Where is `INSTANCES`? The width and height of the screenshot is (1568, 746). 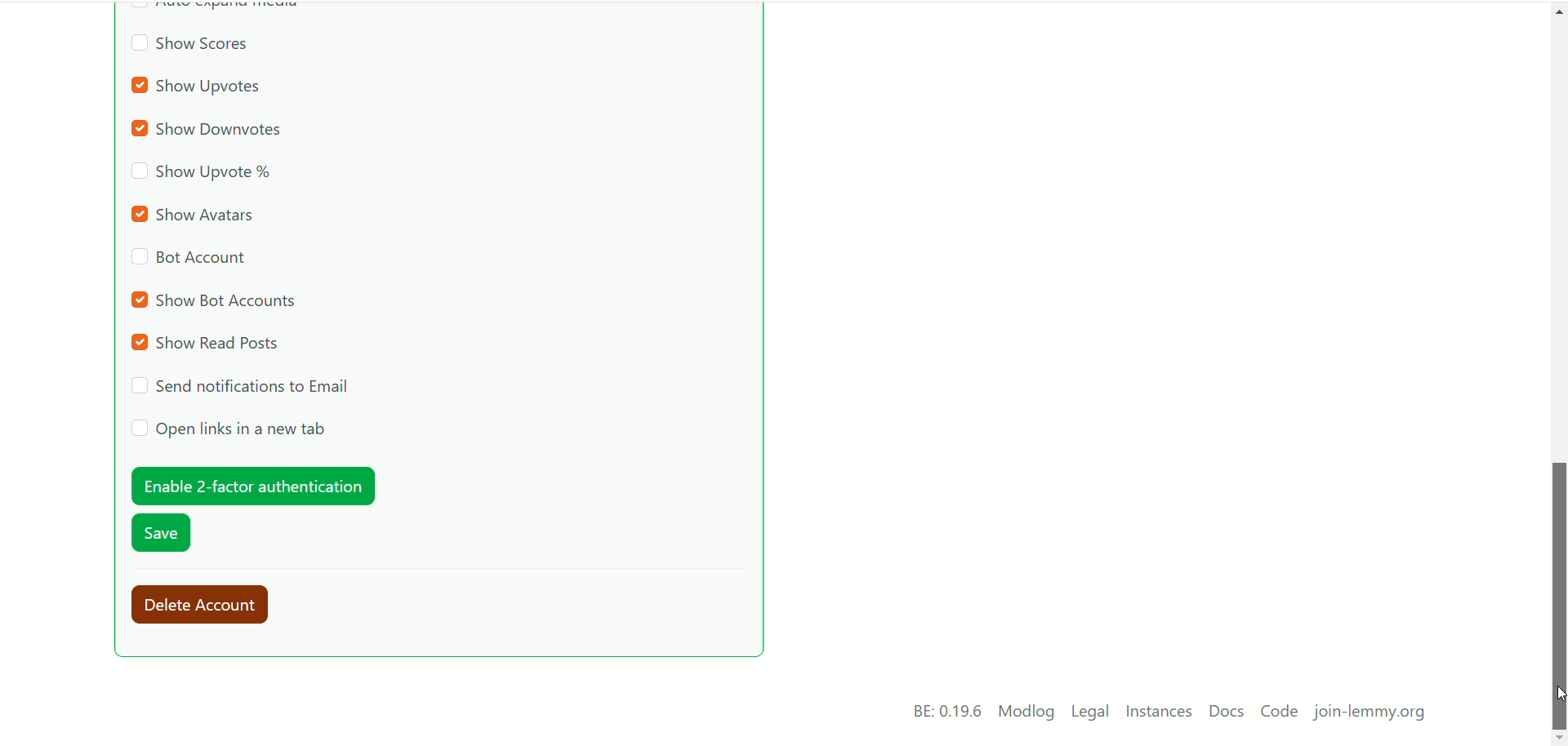
INSTANCES is located at coordinates (1162, 713).